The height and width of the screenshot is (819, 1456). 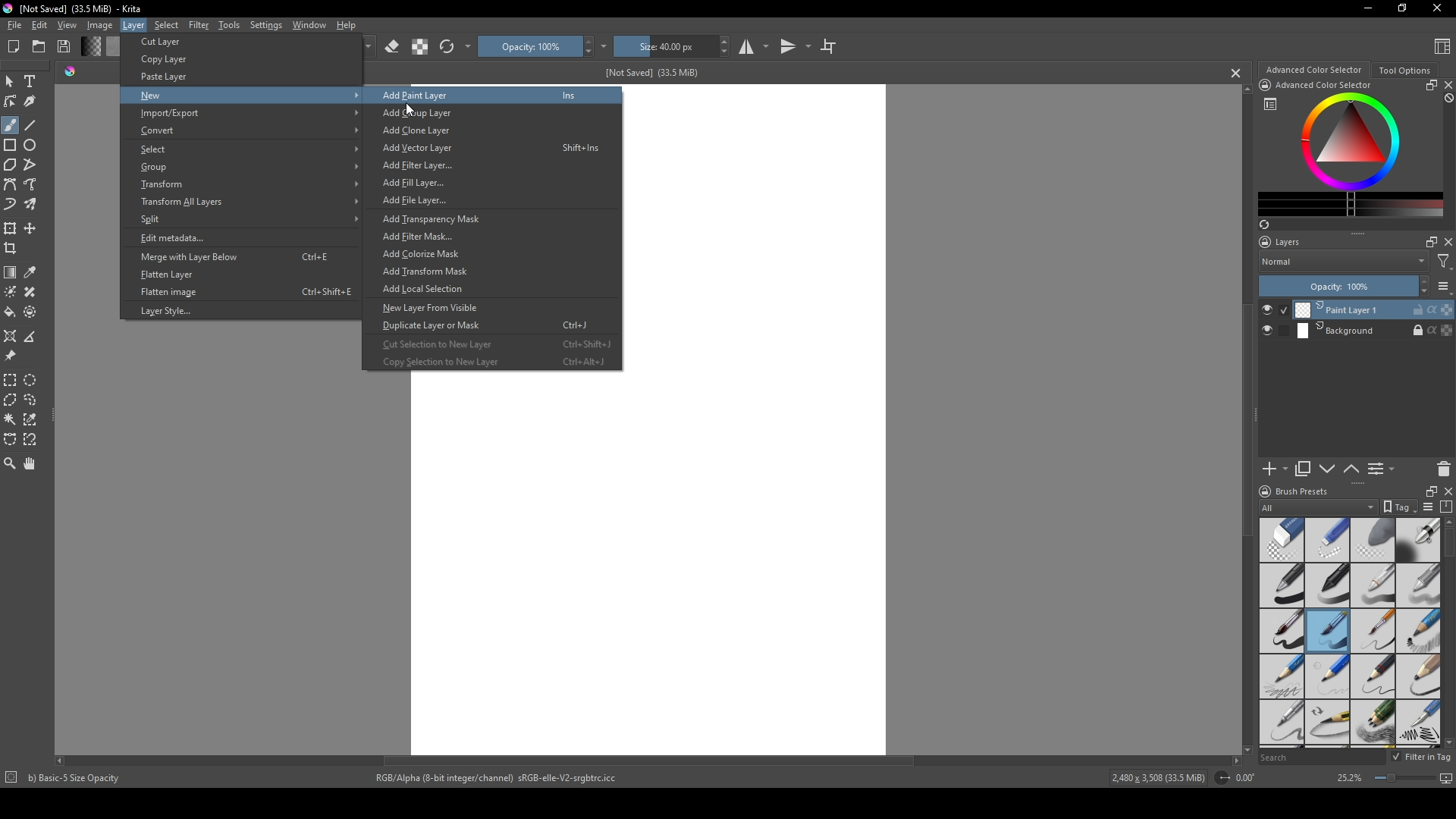 What do you see at coordinates (1221, 778) in the screenshot?
I see `icon` at bounding box center [1221, 778].